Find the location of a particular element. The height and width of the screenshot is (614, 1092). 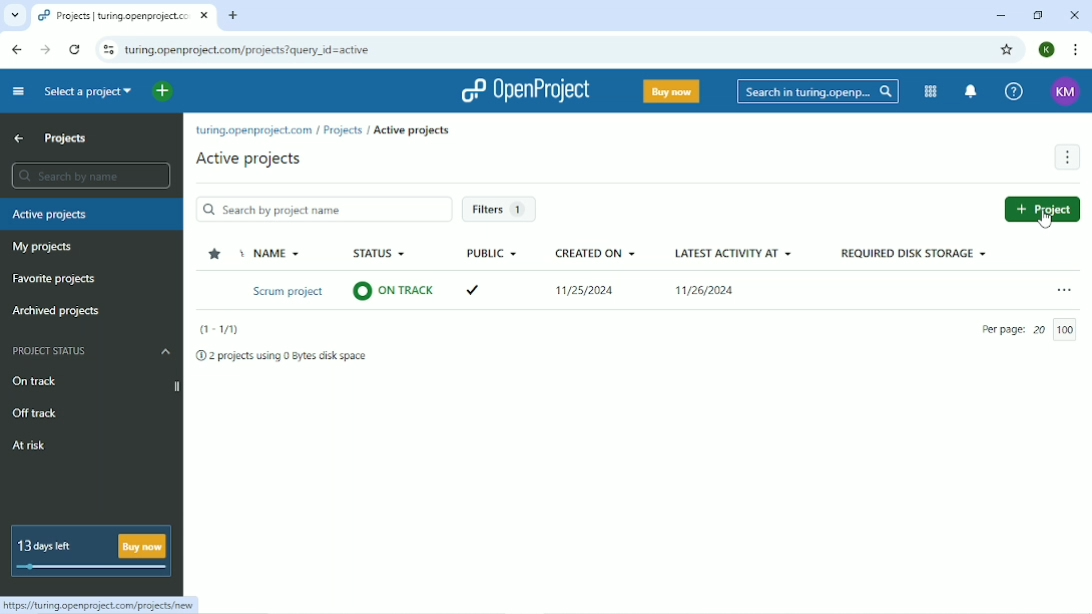

To notification center is located at coordinates (972, 91).